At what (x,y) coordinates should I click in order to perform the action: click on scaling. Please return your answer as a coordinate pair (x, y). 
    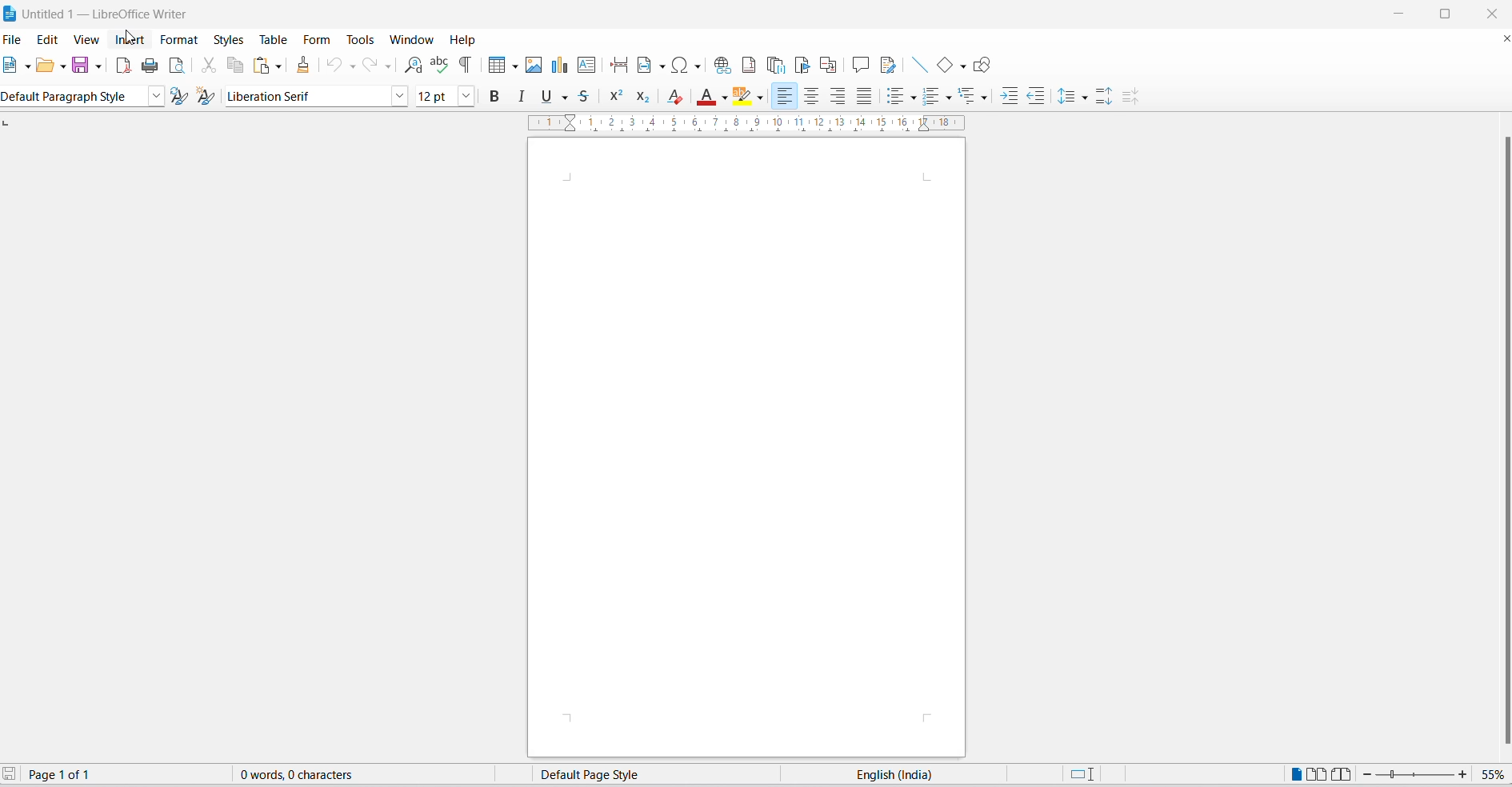
    Looking at the image, I should click on (754, 124).